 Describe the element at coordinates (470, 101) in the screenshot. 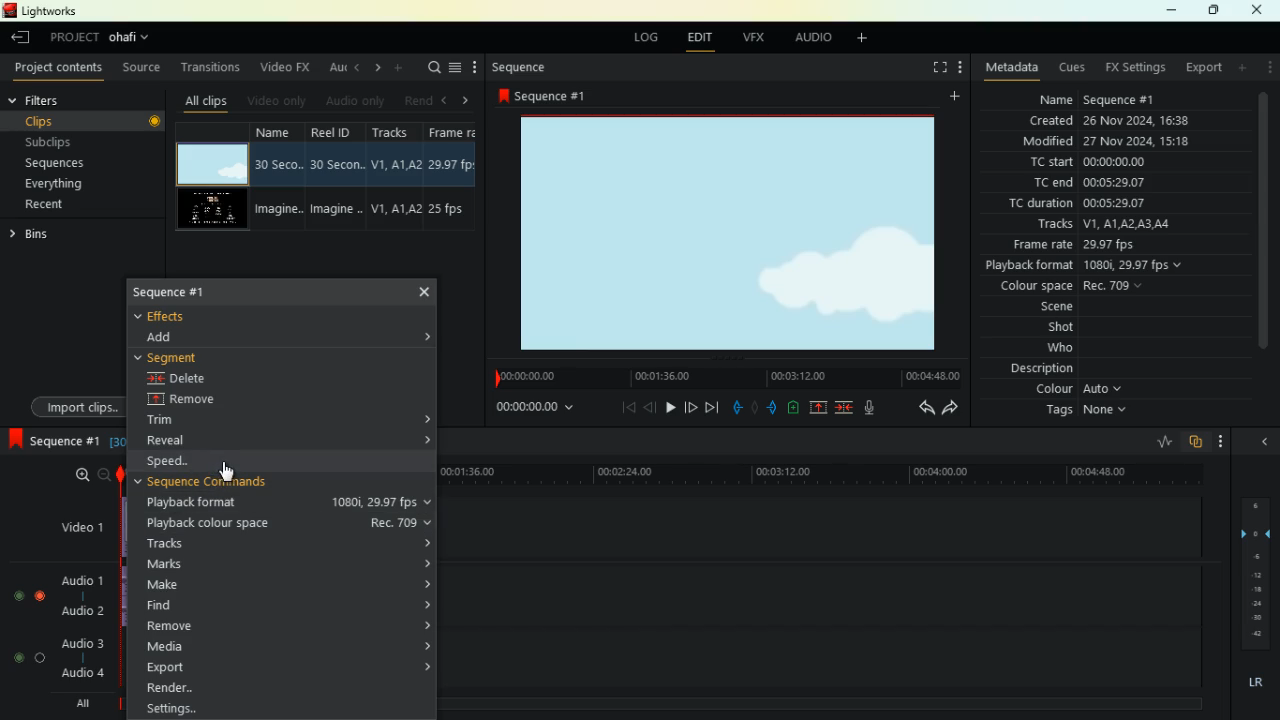

I see `right` at that location.